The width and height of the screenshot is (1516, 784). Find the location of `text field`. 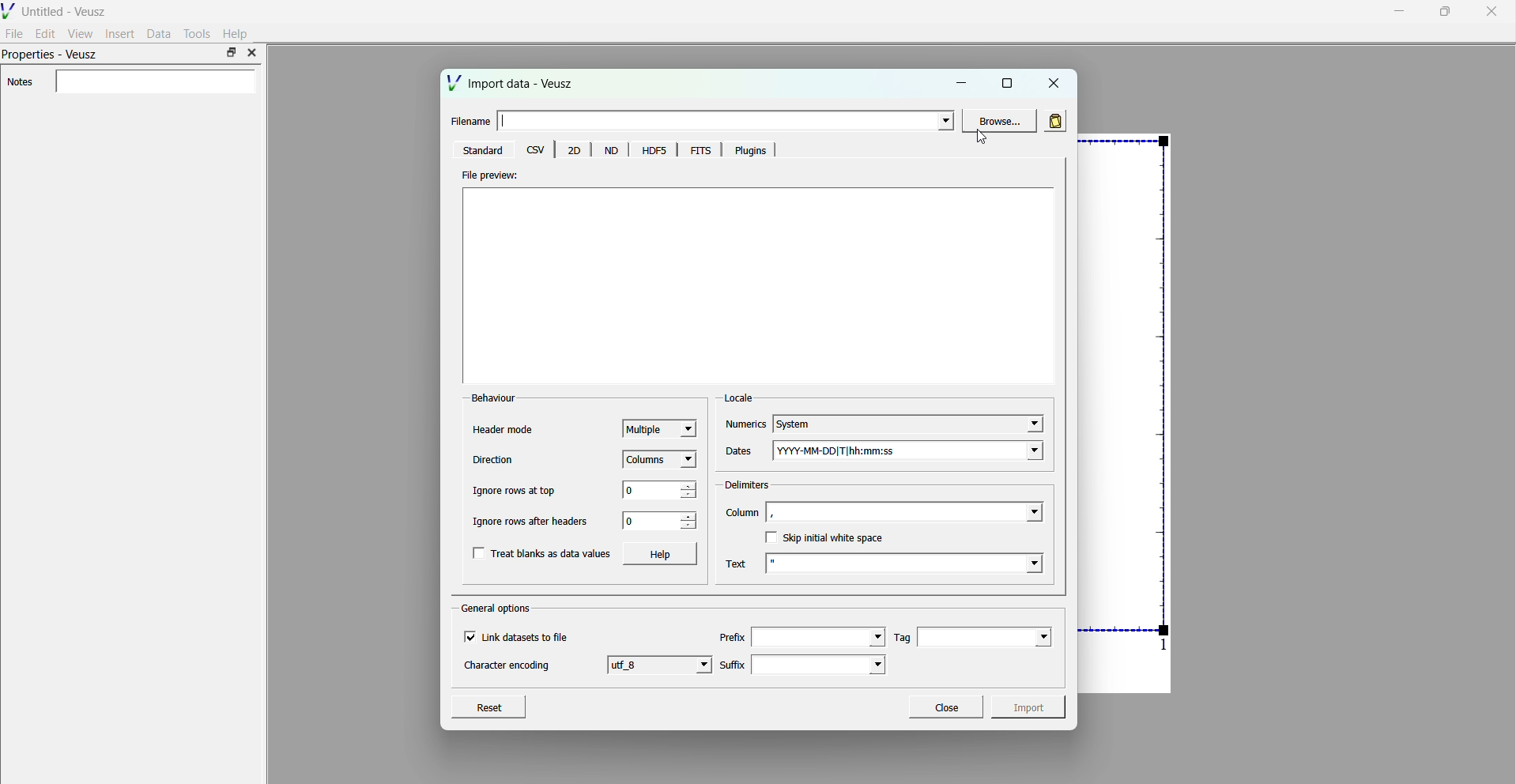

text field is located at coordinates (906, 563).